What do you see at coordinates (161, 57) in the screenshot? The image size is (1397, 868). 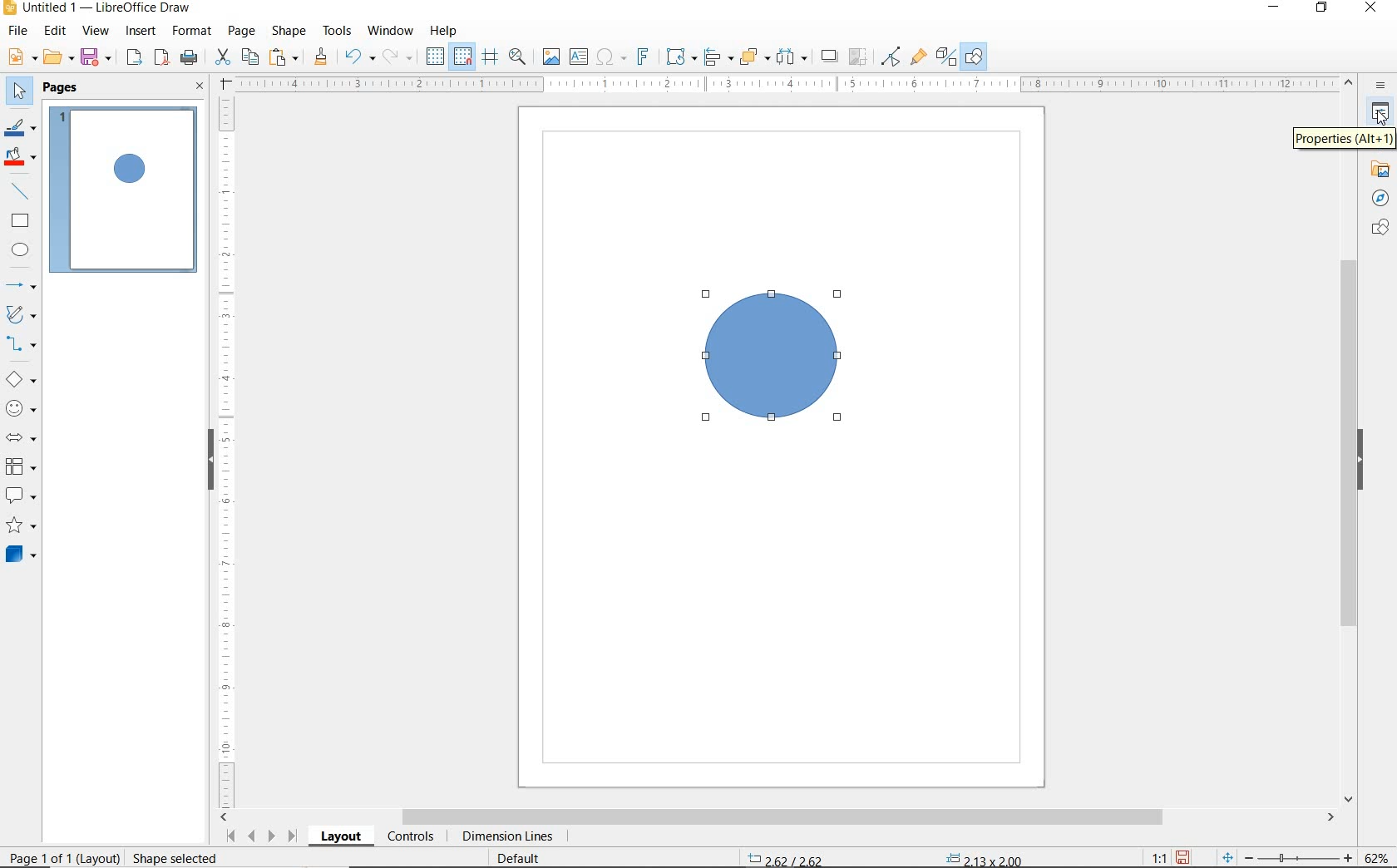 I see `EXPORT AS PDF` at bounding box center [161, 57].